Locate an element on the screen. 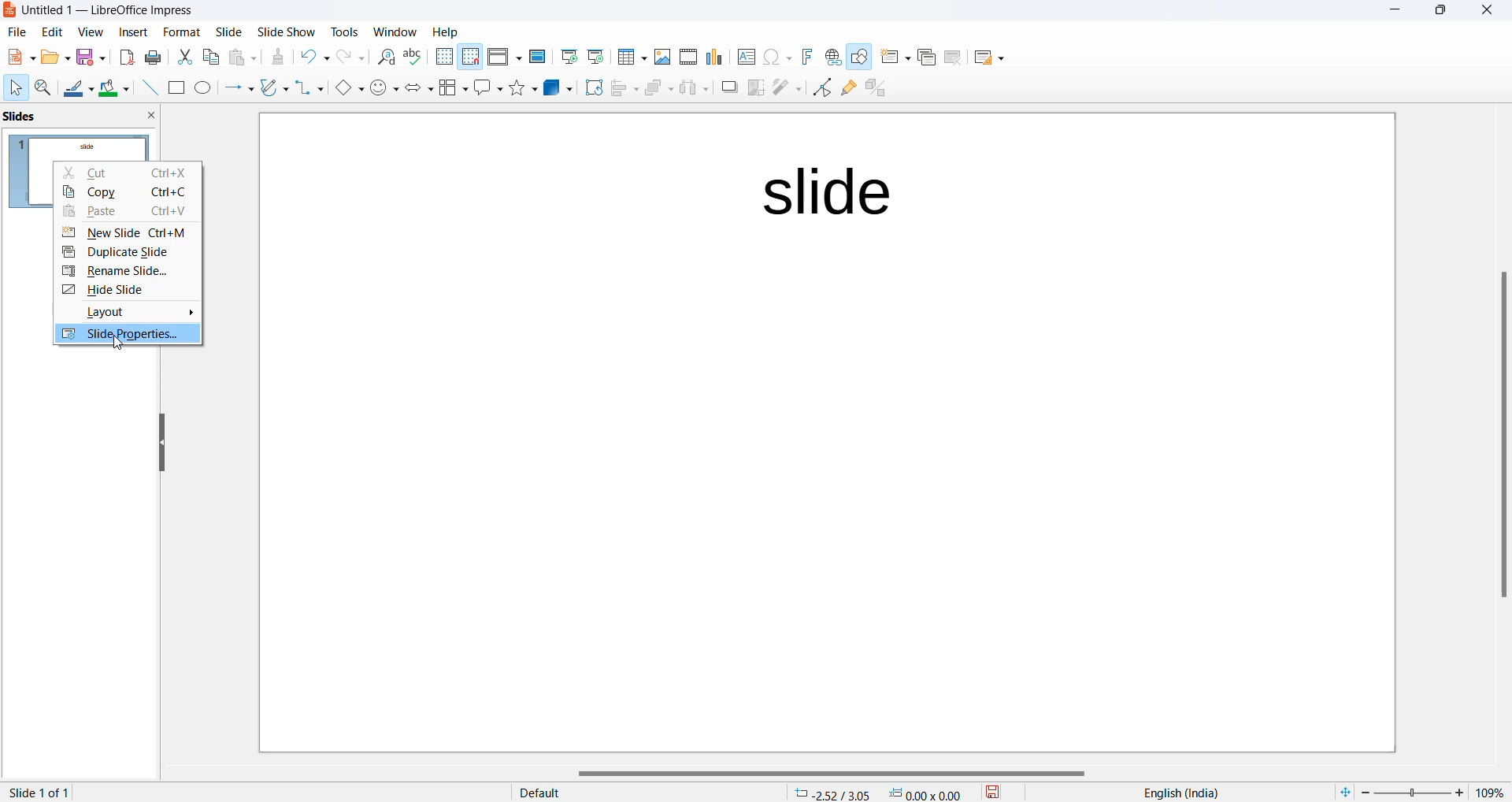  close is located at coordinates (1490, 11).